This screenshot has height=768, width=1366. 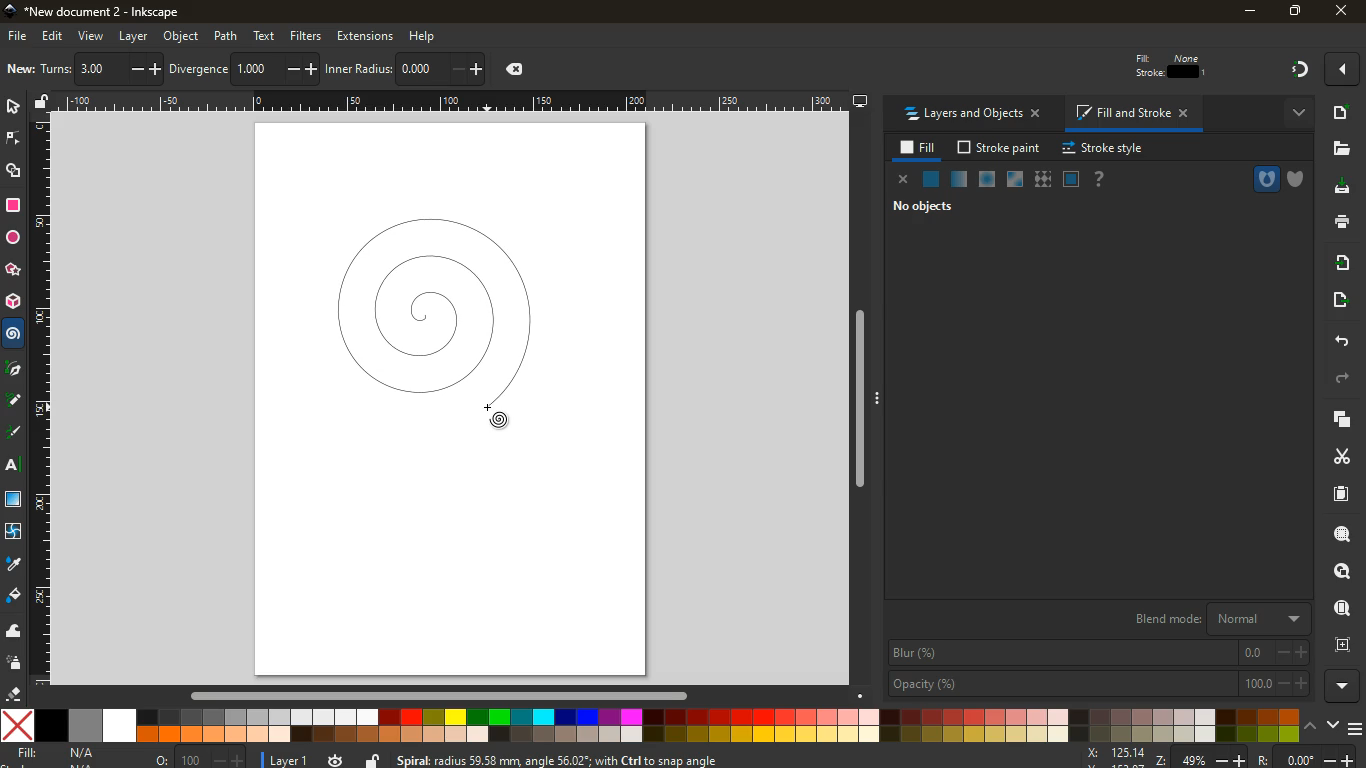 What do you see at coordinates (366, 36) in the screenshot?
I see `extensions` at bounding box center [366, 36].